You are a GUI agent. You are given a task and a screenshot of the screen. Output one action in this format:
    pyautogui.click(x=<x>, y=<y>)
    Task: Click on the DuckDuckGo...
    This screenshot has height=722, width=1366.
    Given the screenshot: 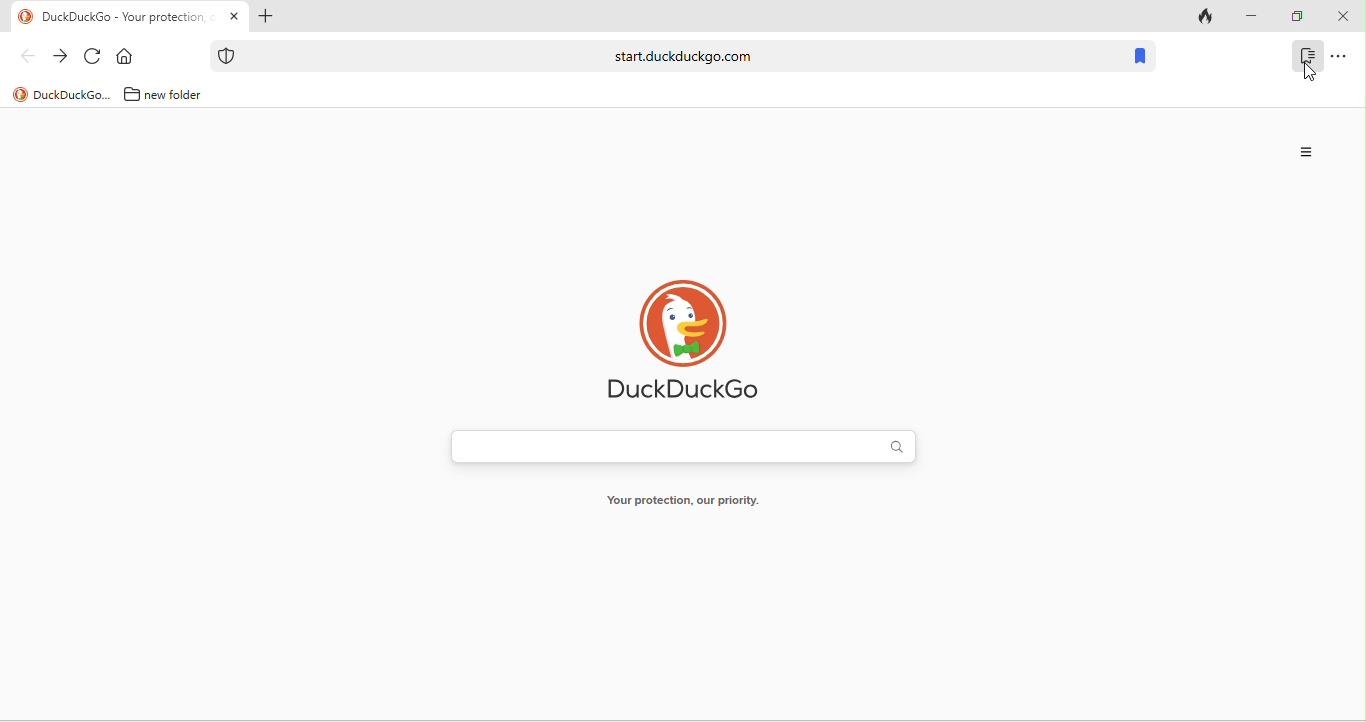 What is the action you would take?
    pyautogui.click(x=73, y=94)
    